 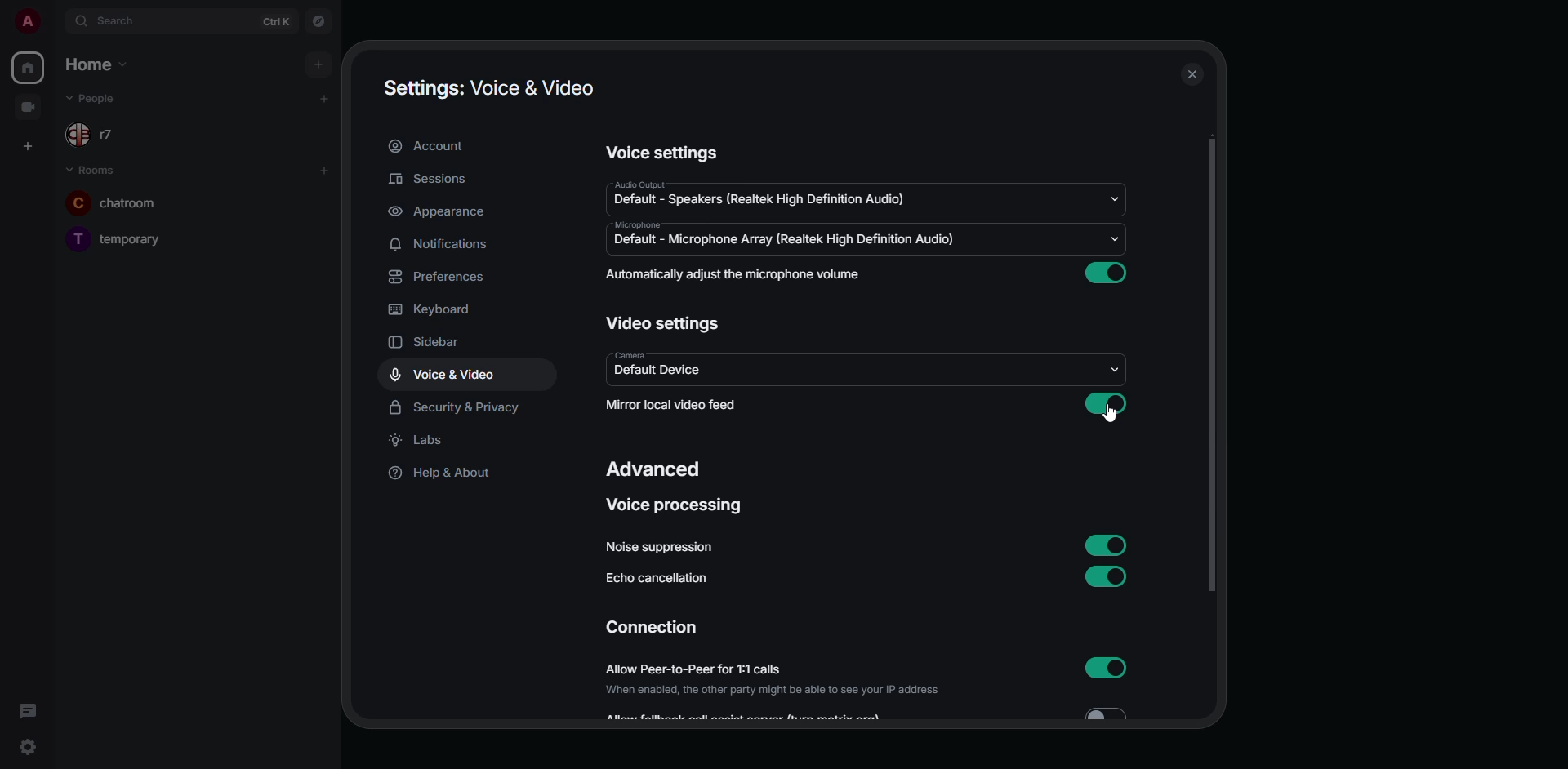 I want to click on threads, so click(x=28, y=711).